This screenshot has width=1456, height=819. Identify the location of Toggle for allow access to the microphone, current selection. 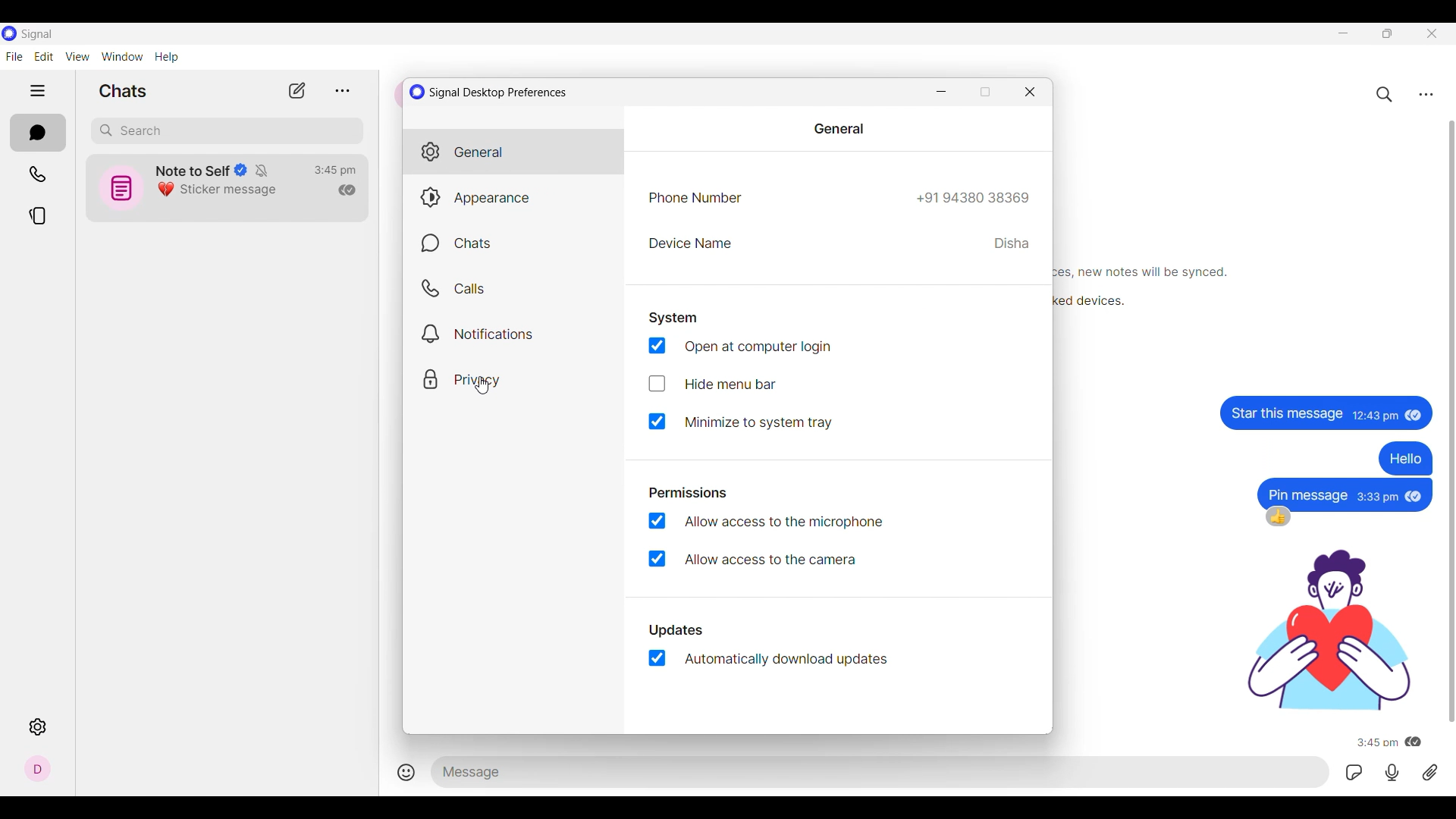
(766, 520).